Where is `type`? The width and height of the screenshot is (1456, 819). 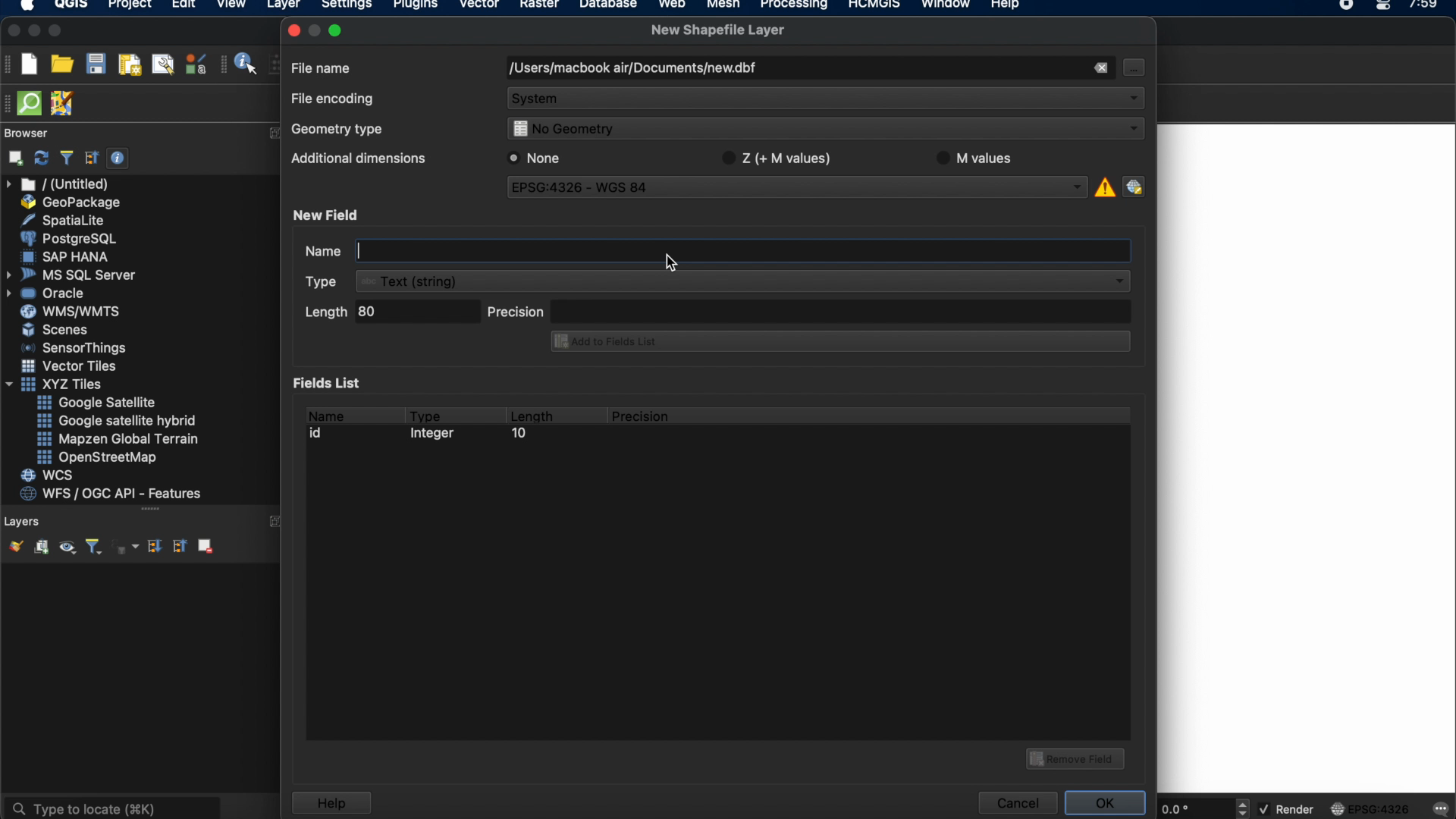
type is located at coordinates (426, 413).